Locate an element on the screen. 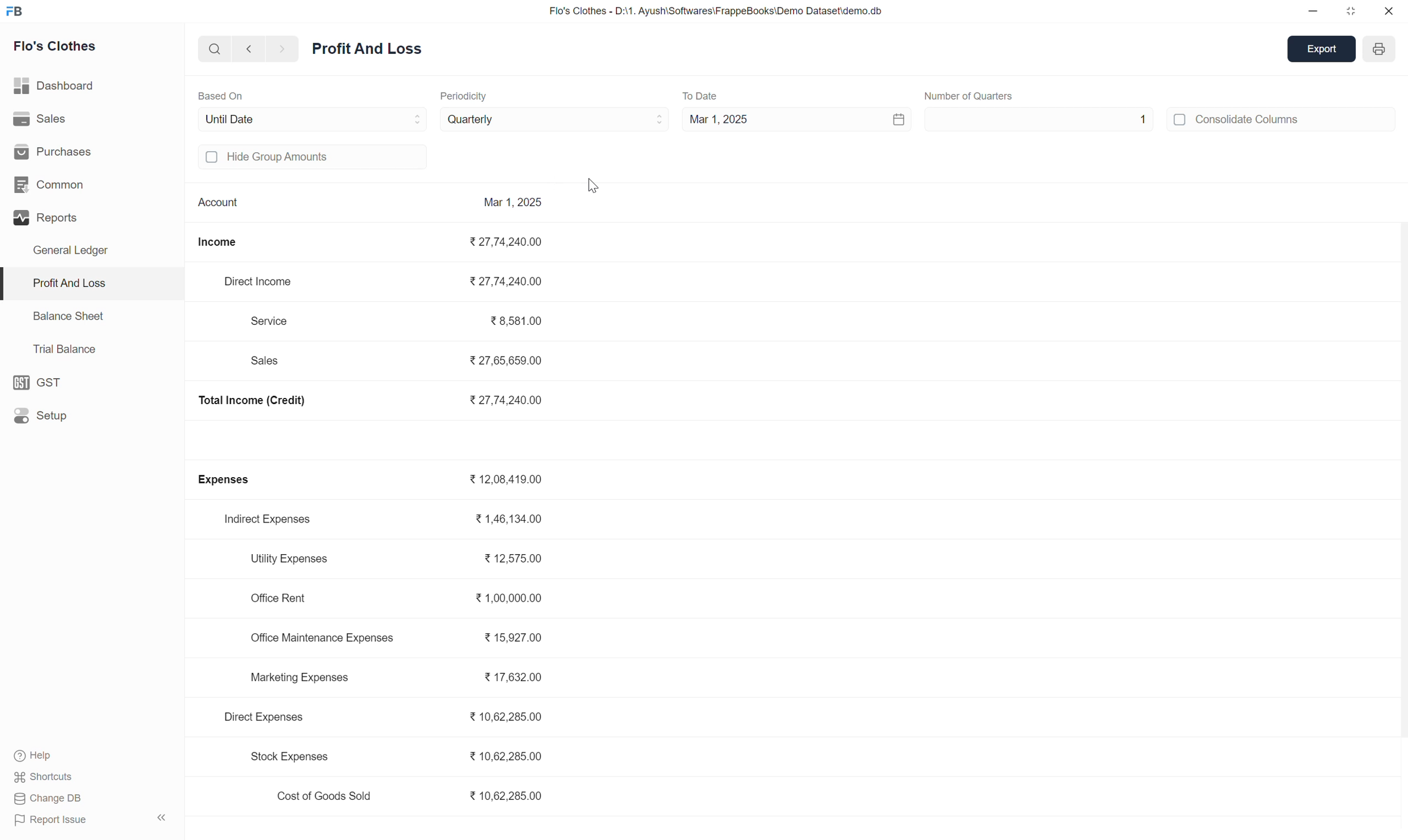  Expenses is located at coordinates (229, 480).